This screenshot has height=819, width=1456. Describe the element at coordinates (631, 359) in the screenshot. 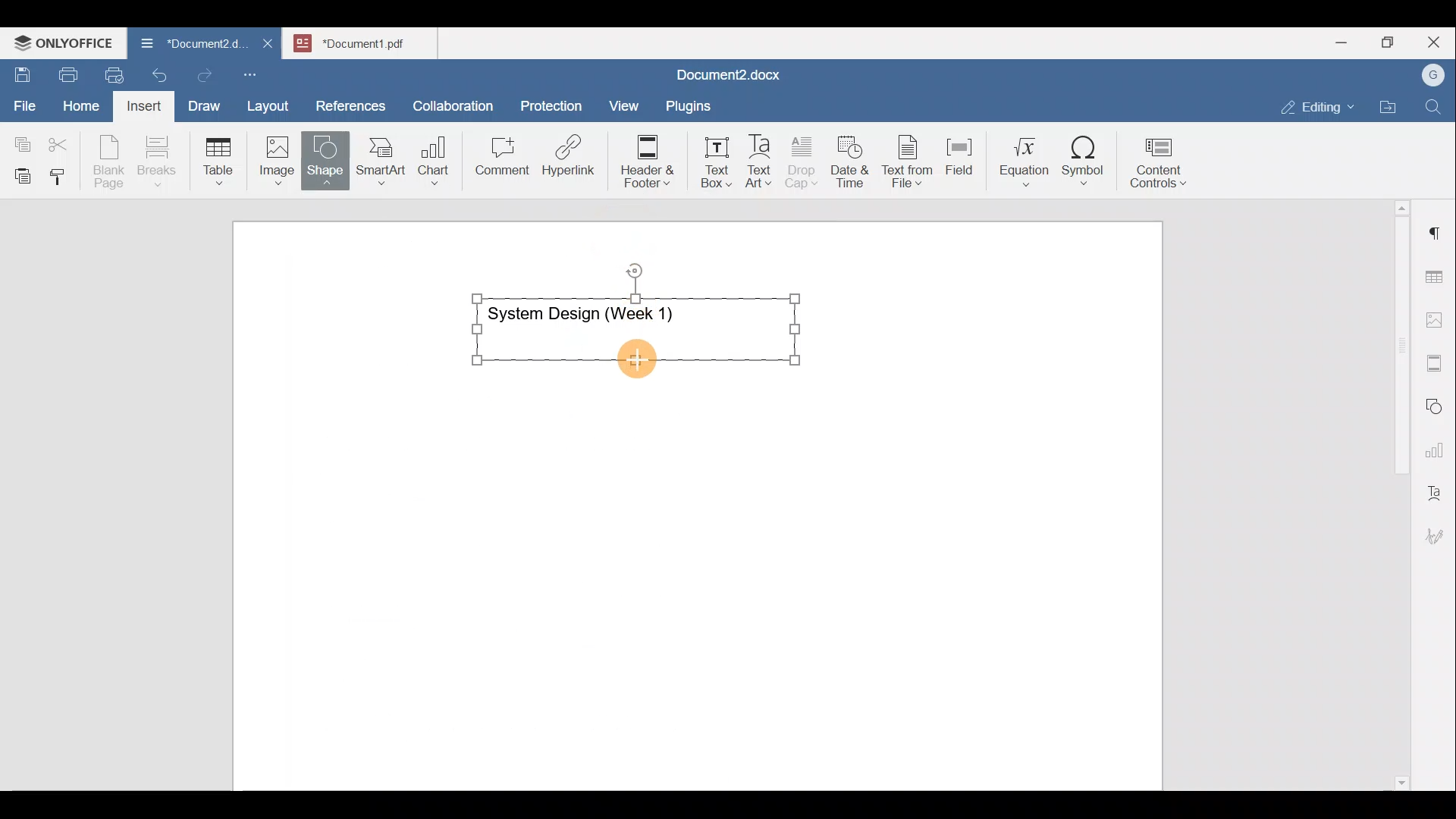

I see `Cursor` at that location.